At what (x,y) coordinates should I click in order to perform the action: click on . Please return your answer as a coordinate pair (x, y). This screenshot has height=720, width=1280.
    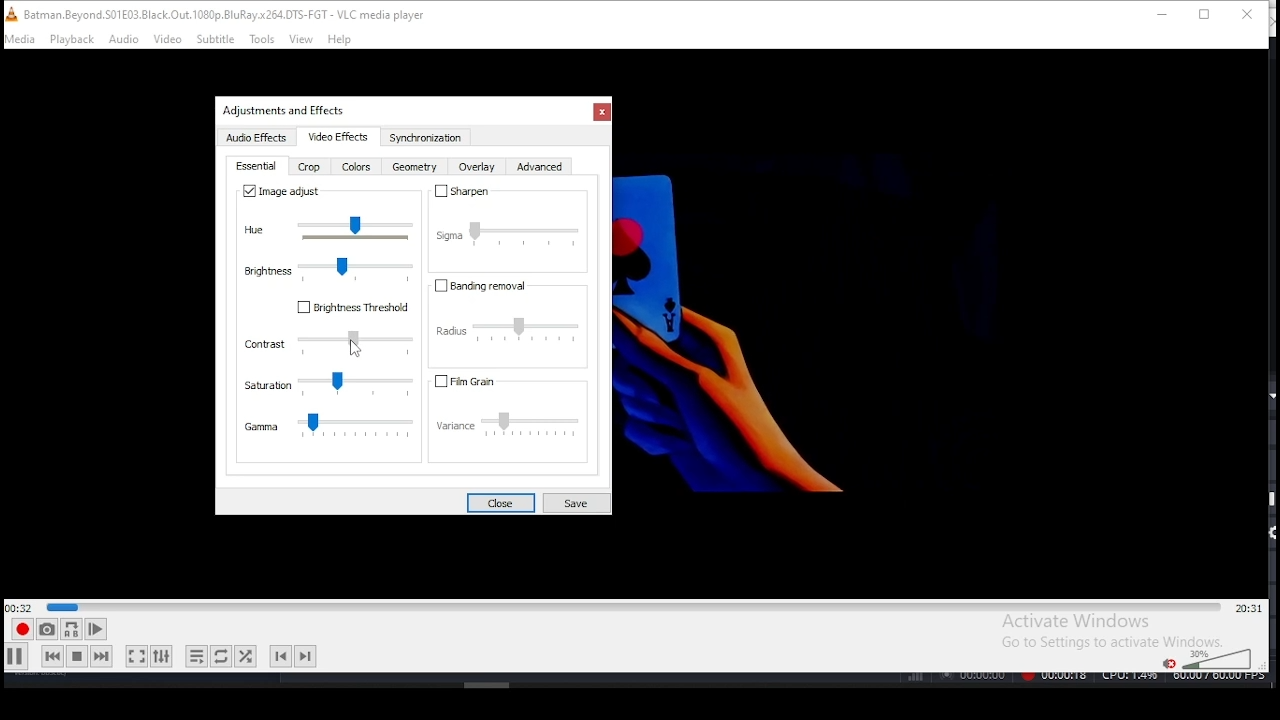
    Looking at the image, I should click on (288, 109).